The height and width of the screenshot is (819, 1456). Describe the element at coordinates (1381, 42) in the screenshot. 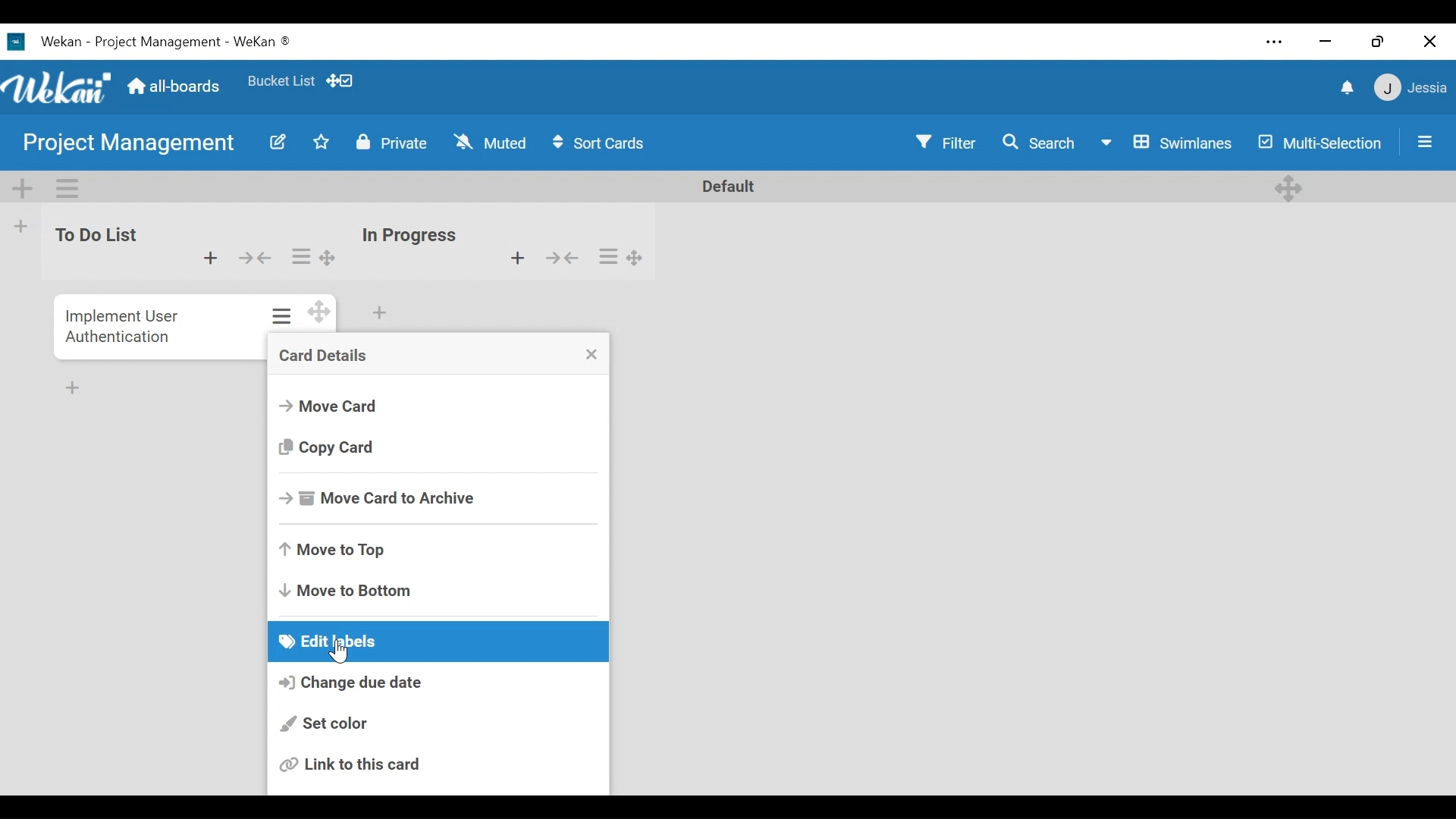

I see `restore` at that location.